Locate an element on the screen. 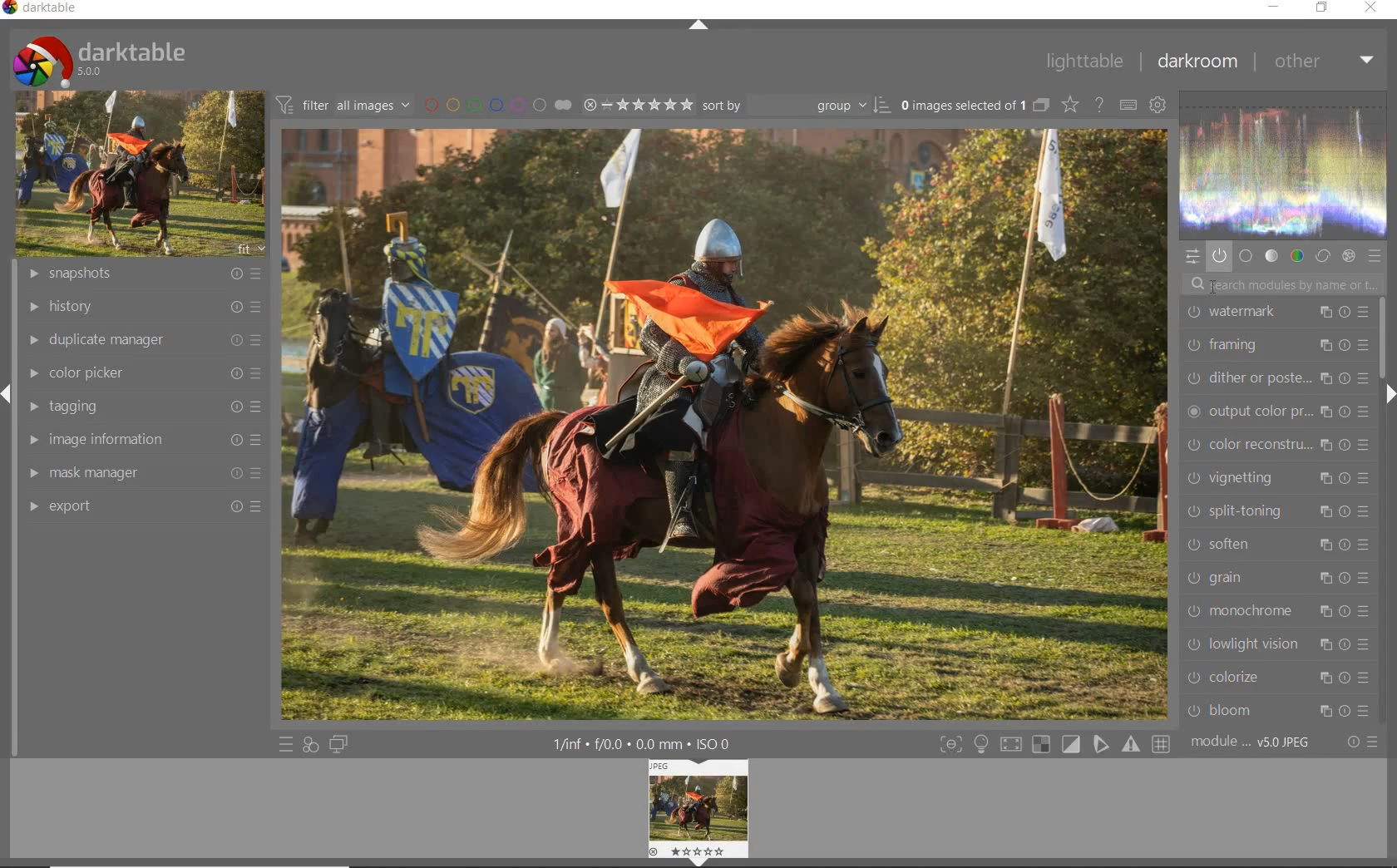 This screenshot has width=1397, height=868. duplicate manager is located at coordinates (140, 341).